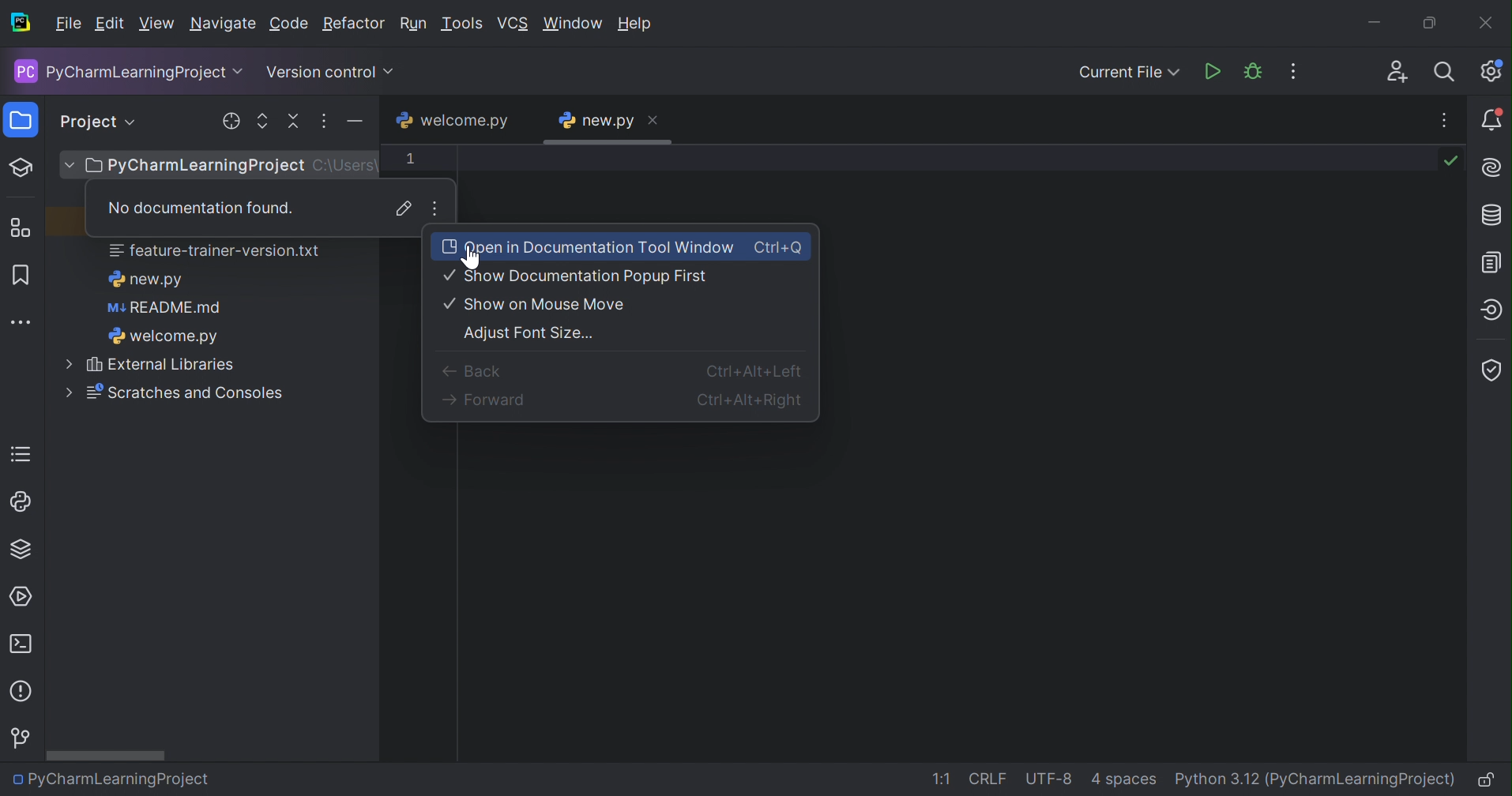  What do you see at coordinates (756, 371) in the screenshot?
I see `Ctrl+Alt+Left` at bounding box center [756, 371].